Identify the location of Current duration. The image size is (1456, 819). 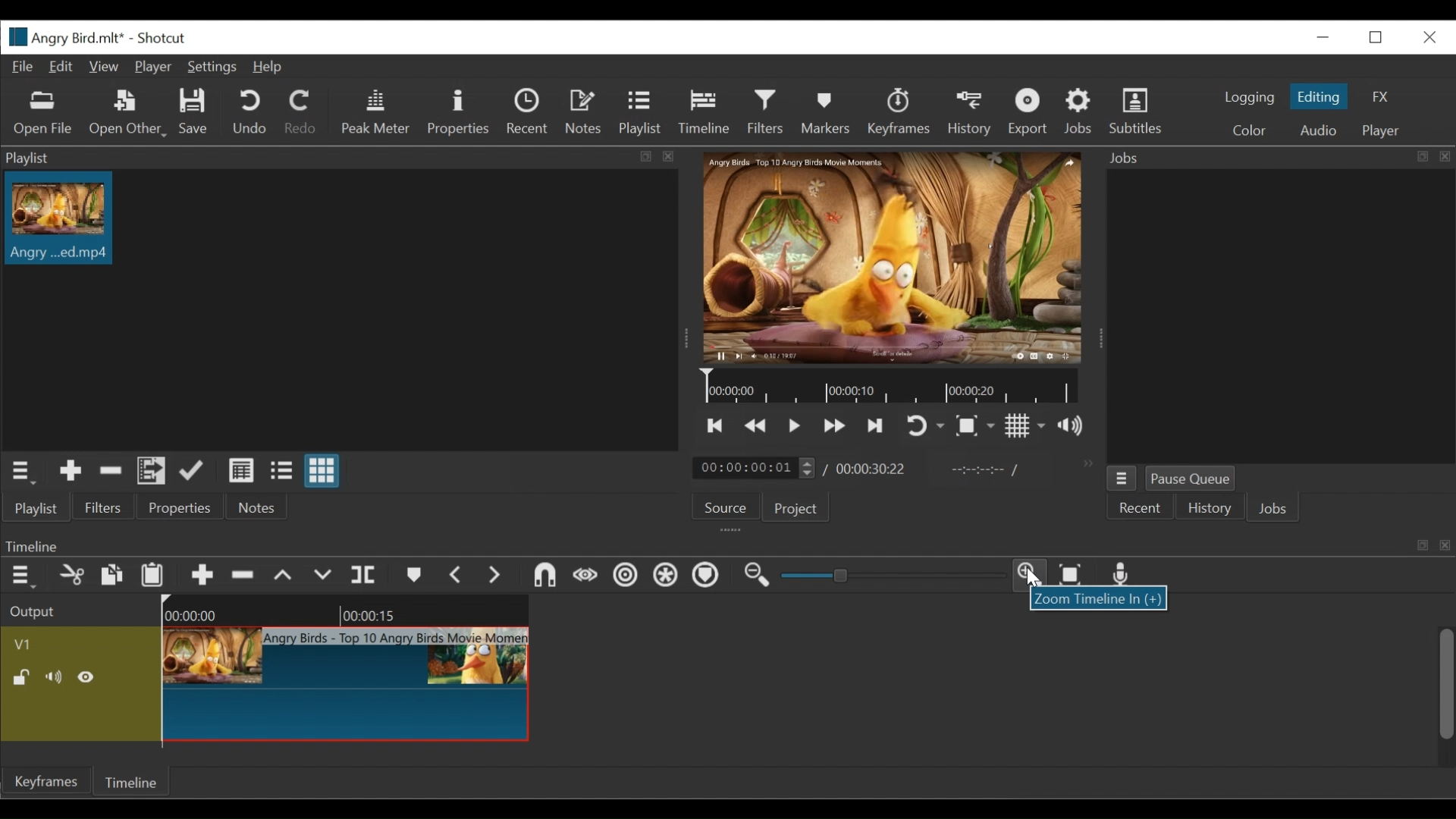
(758, 468).